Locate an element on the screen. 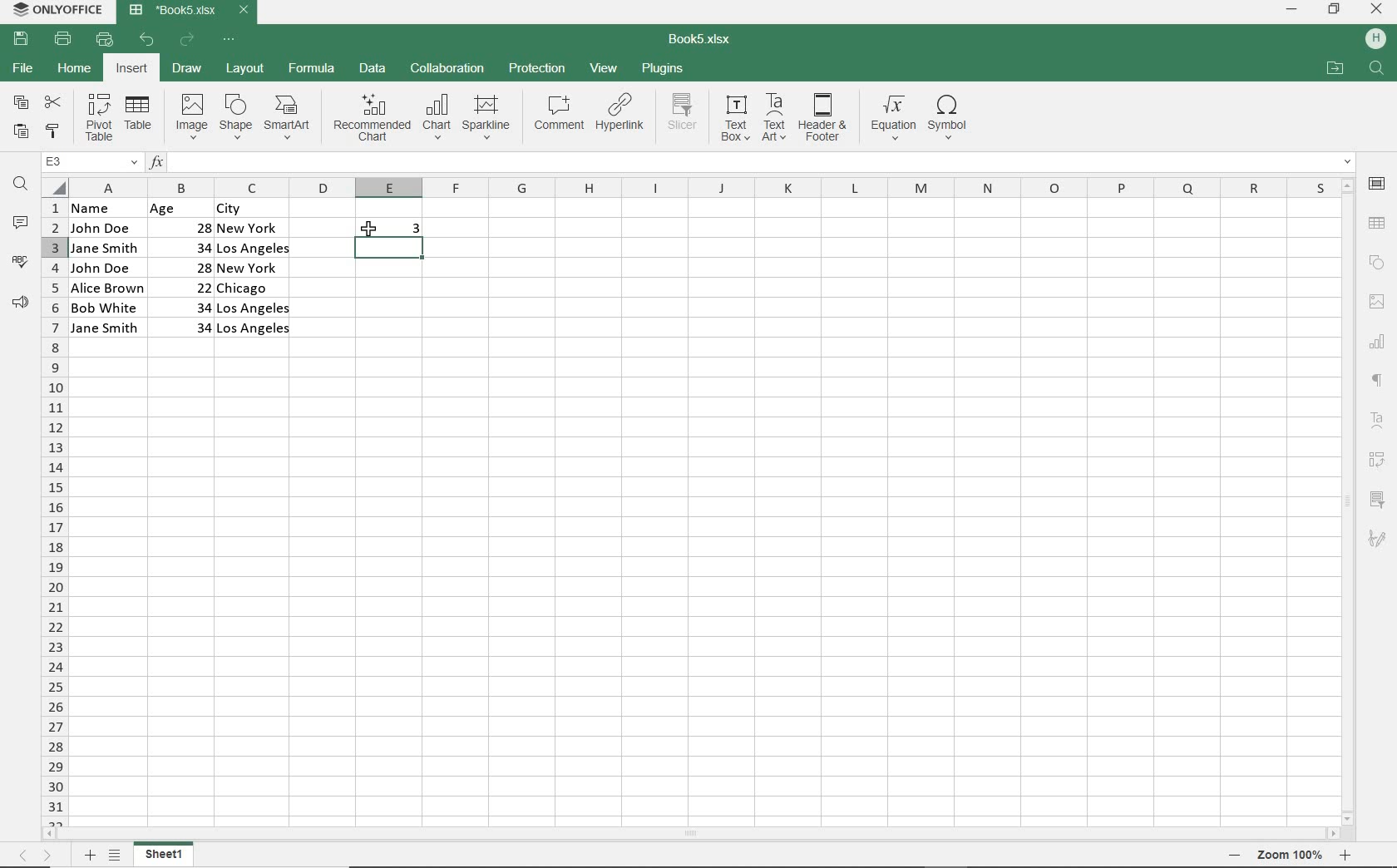  formula returns 3 is located at coordinates (403, 229).